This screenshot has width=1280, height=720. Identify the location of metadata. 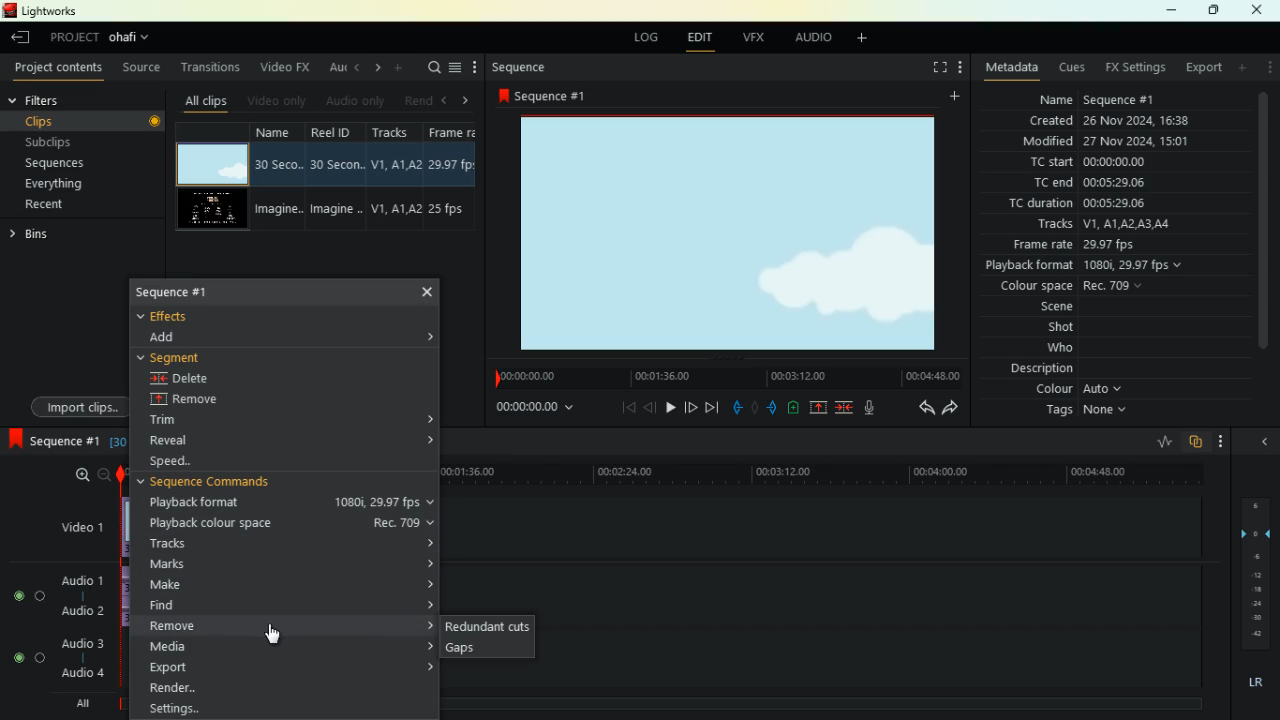
(1012, 68).